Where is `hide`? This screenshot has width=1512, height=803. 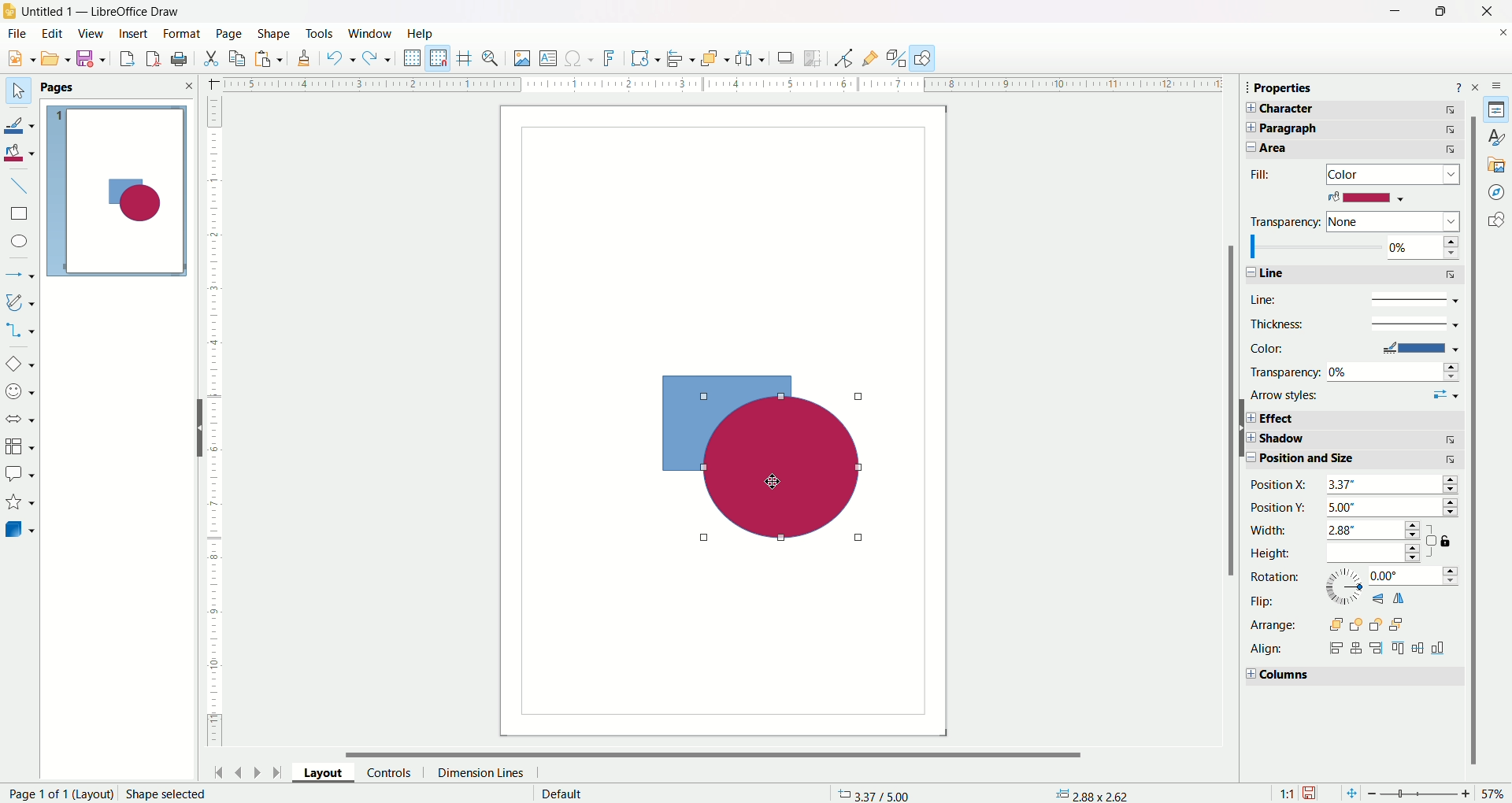
hide is located at coordinates (198, 429).